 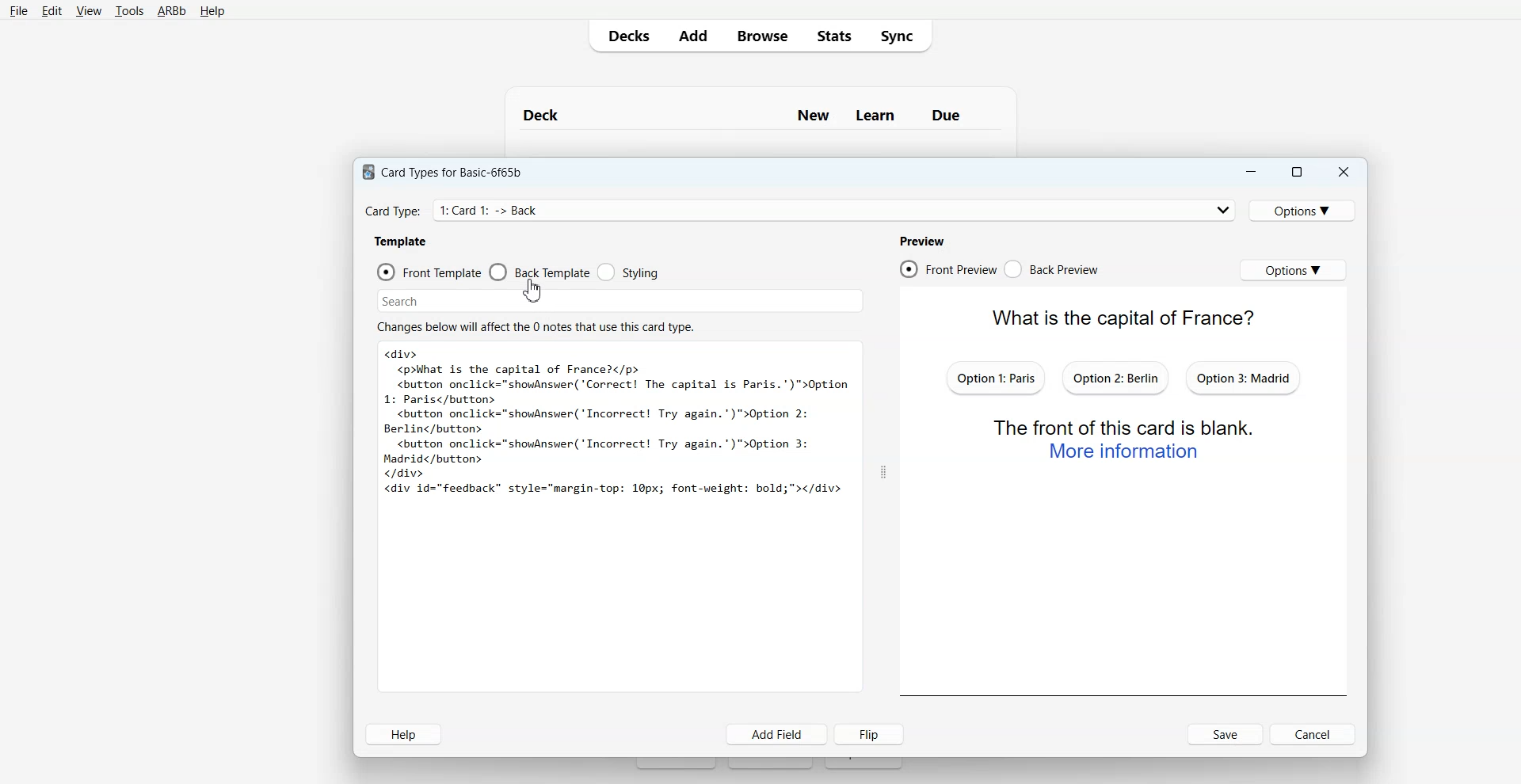 What do you see at coordinates (1051, 268) in the screenshot?
I see `Back Preview` at bounding box center [1051, 268].